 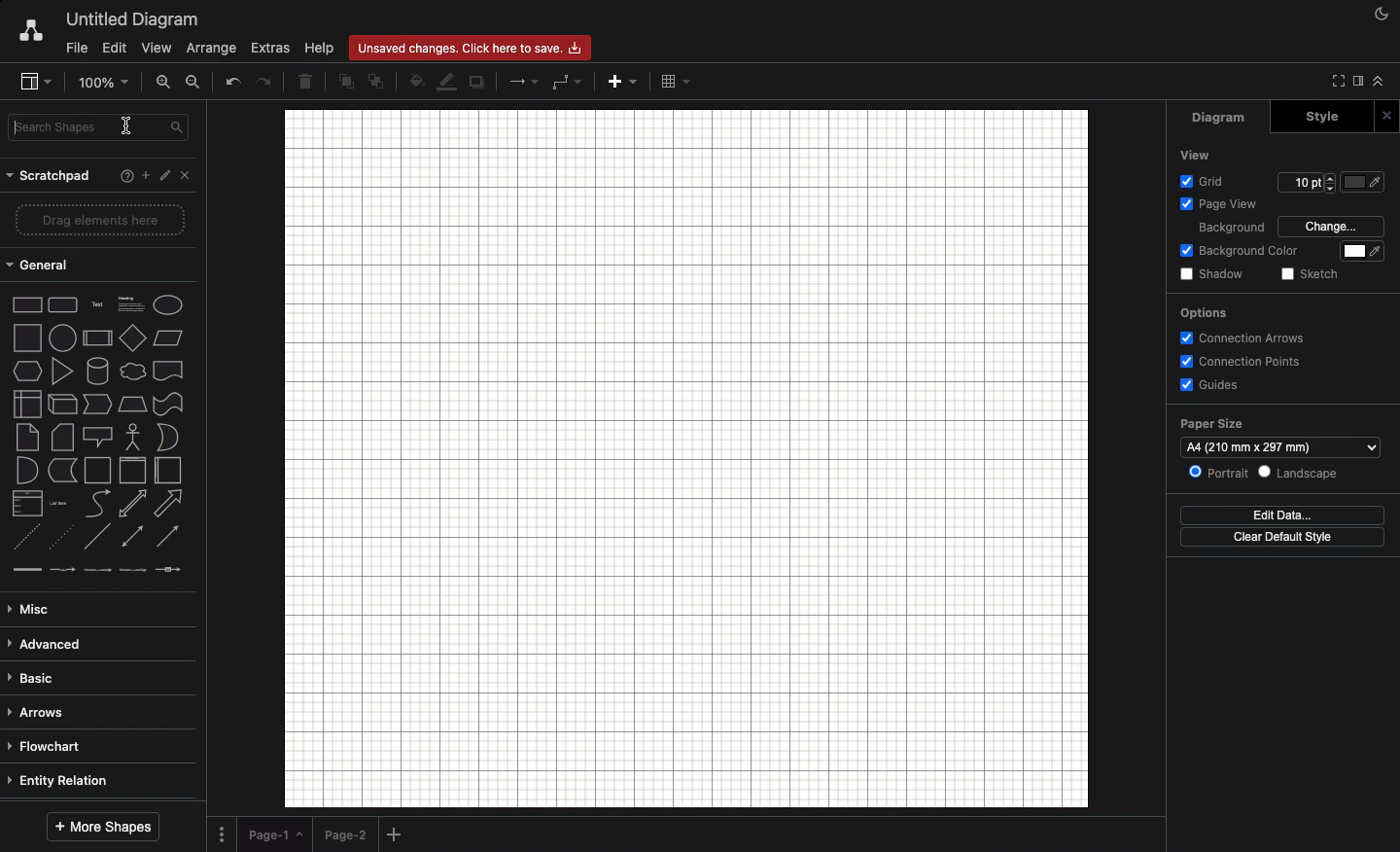 What do you see at coordinates (1220, 118) in the screenshot?
I see `Diagram` at bounding box center [1220, 118].